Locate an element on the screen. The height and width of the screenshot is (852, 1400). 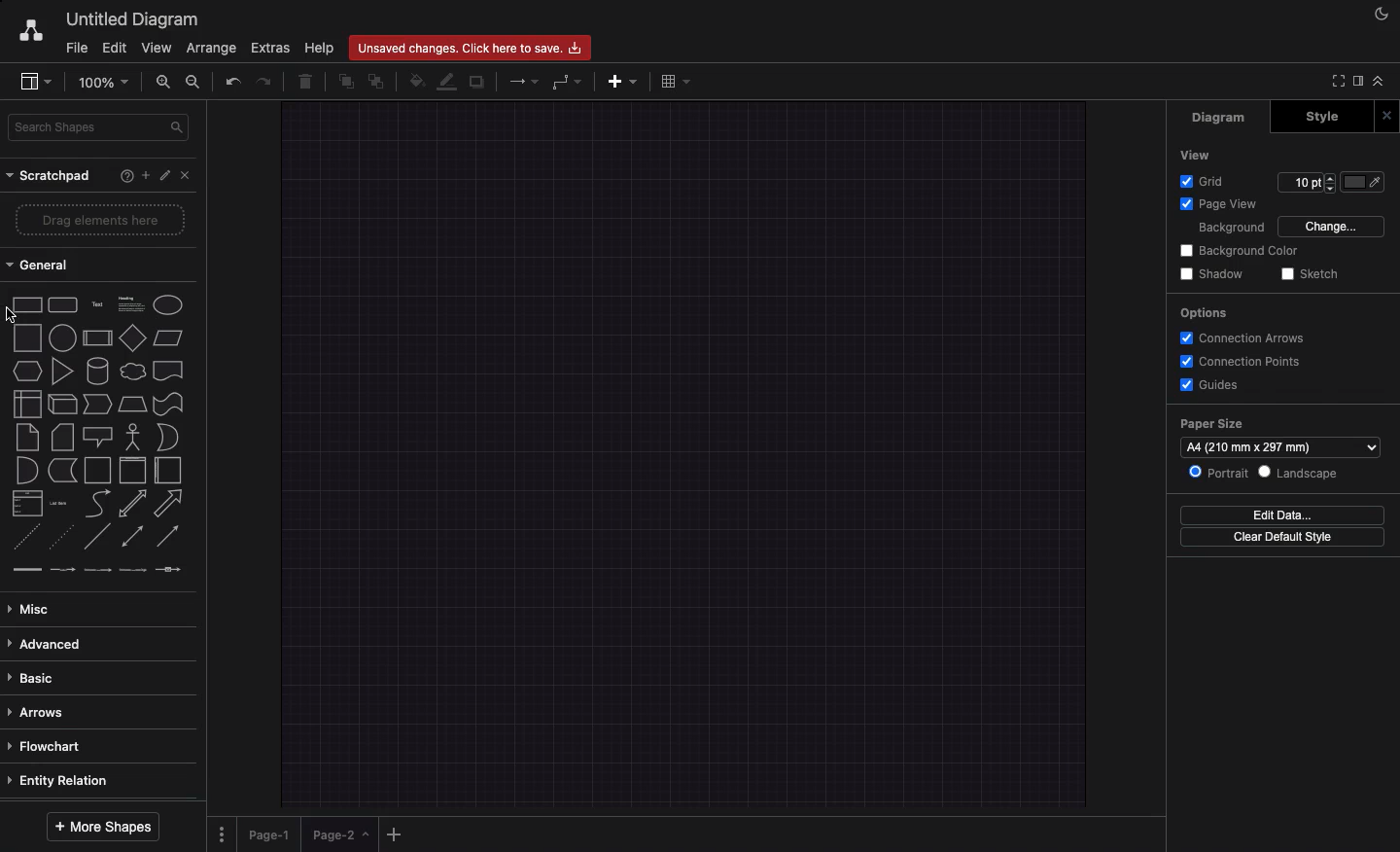
or is located at coordinates (167, 438).